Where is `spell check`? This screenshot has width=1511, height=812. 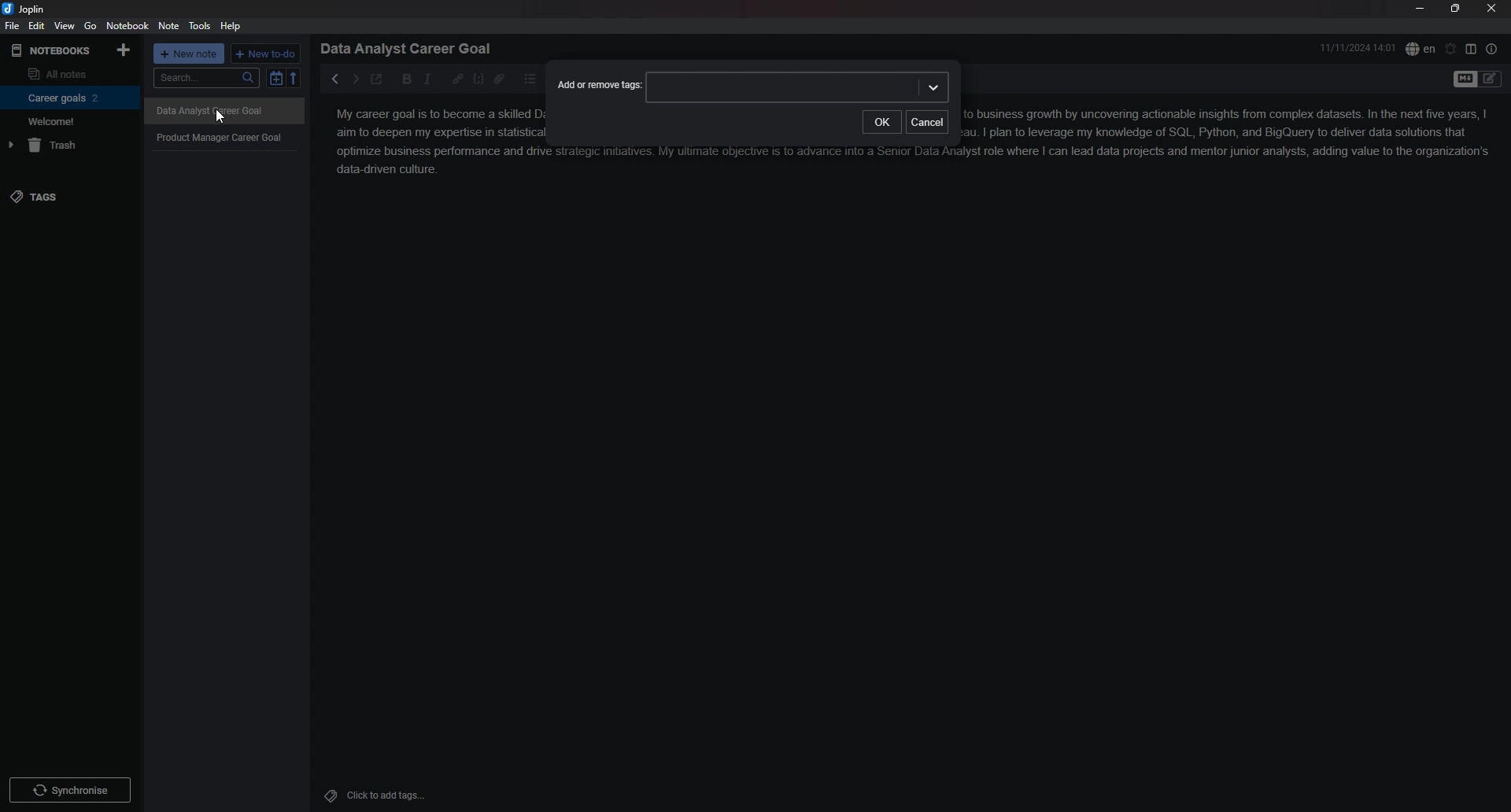 spell check is located at coordinates (1420, 49).